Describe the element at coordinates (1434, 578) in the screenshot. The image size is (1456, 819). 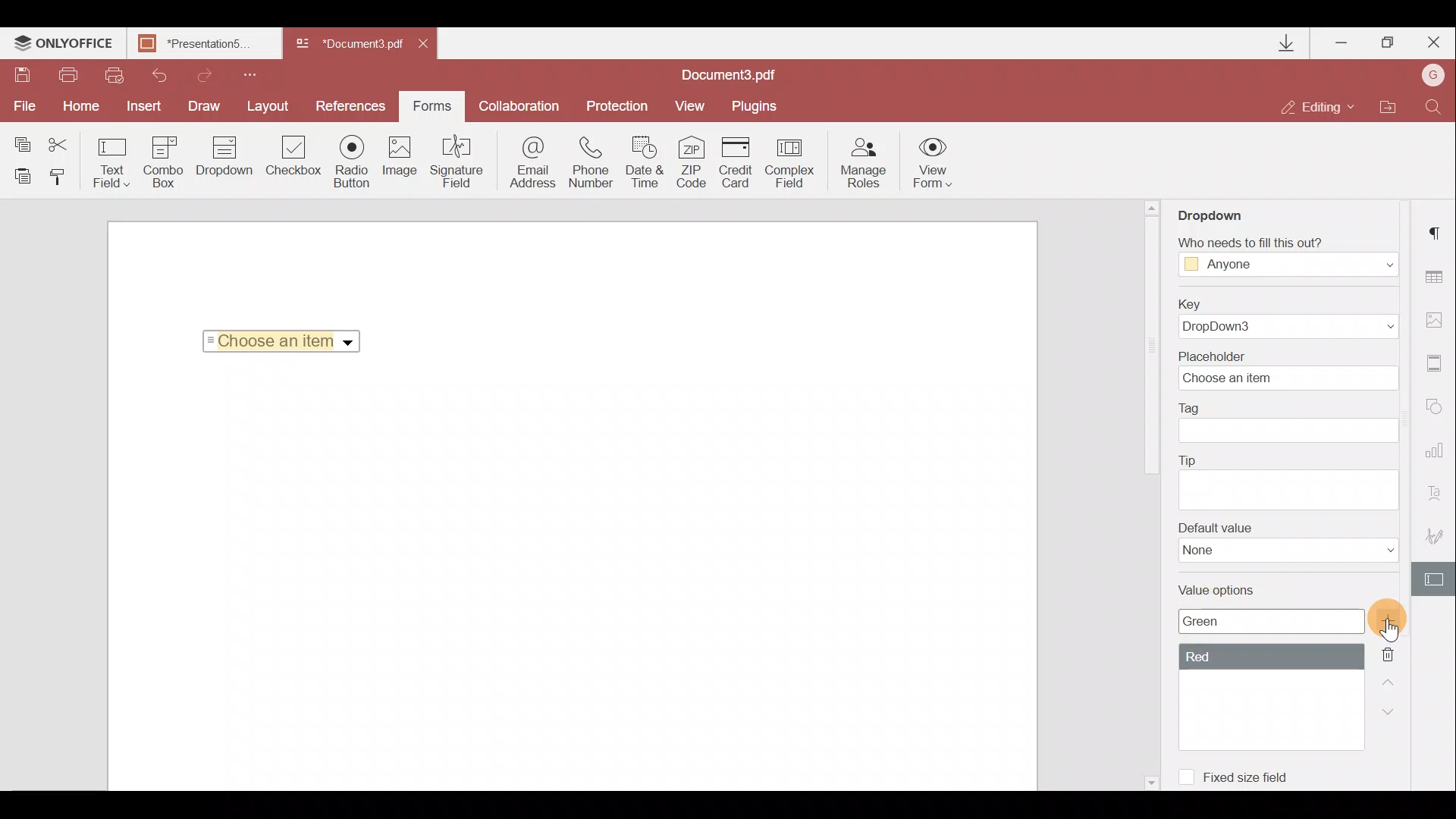
I see `Form settings` at that location.